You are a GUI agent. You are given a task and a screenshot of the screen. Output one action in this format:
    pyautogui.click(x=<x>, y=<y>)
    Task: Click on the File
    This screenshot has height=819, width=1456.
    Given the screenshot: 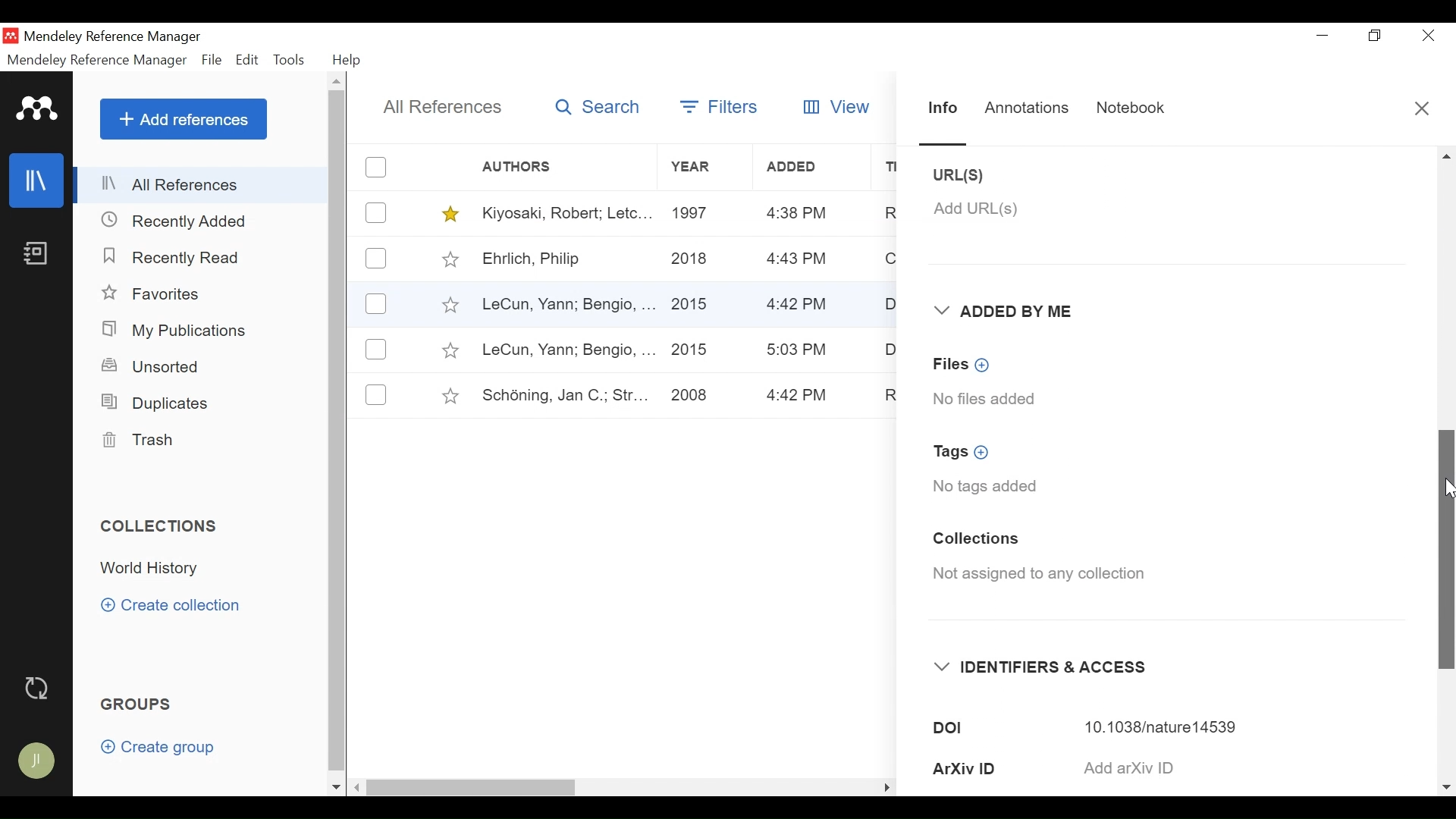 What is the action you would take?
    pyautogui.click(x=213, y=61)
    